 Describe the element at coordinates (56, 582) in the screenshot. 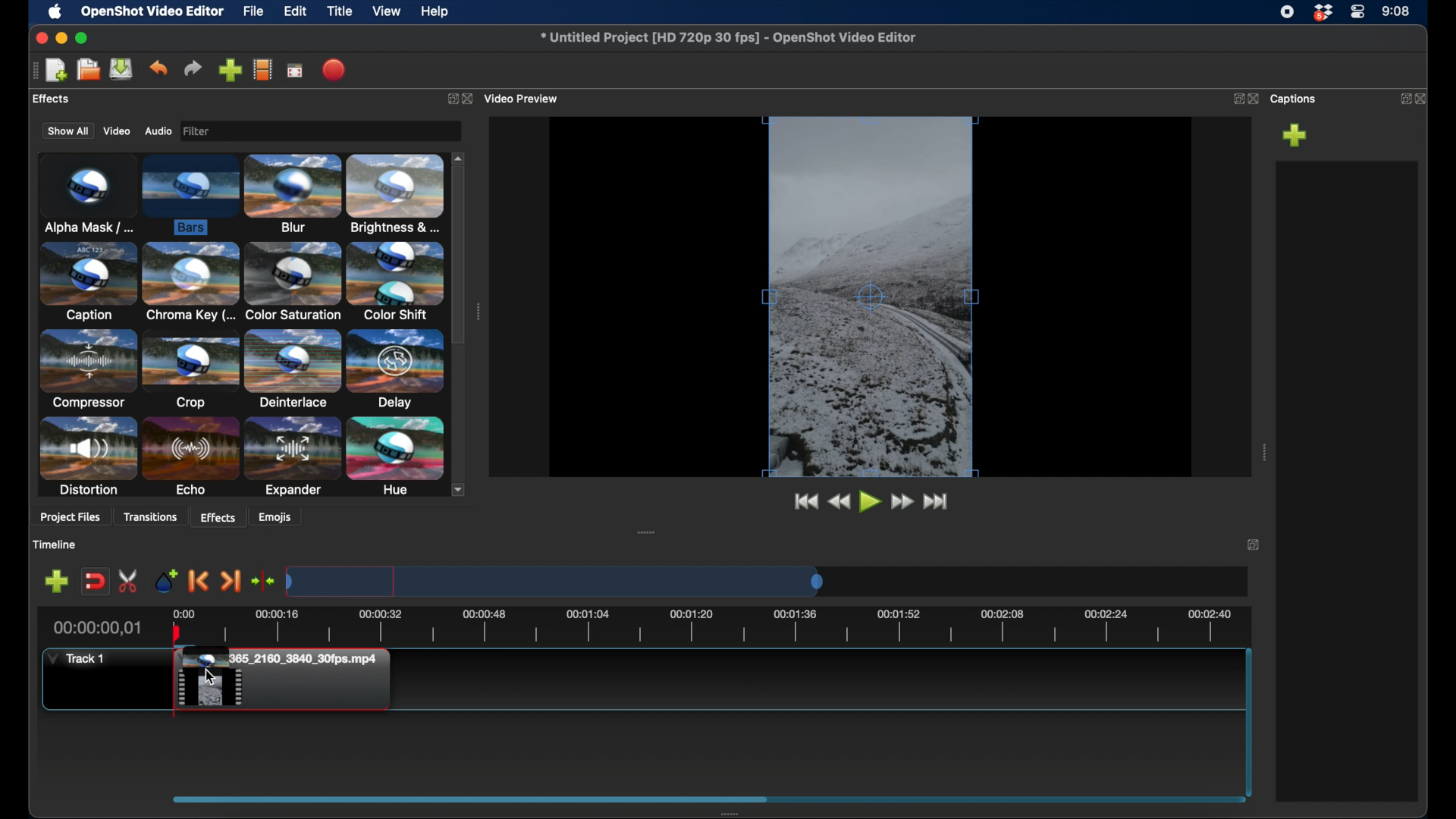

I see `add marker` at that location.